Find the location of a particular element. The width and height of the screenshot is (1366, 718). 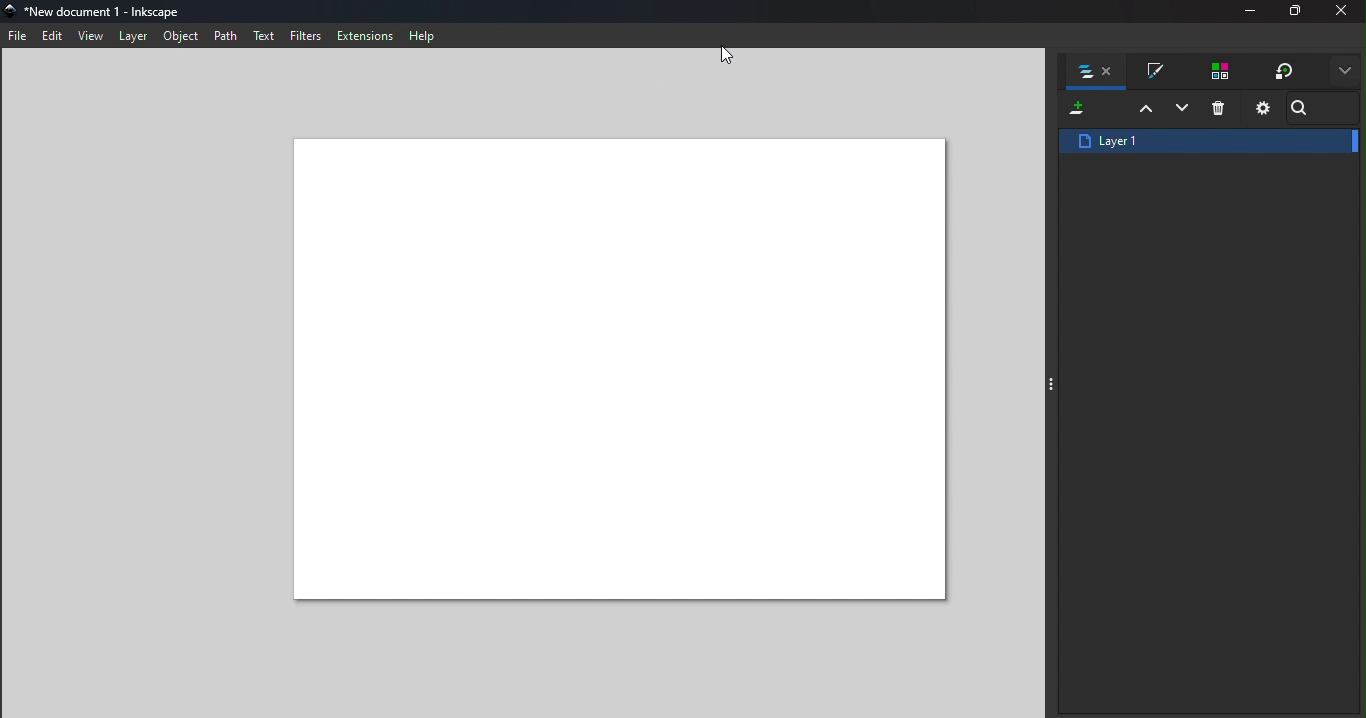

Filters is located at coordinates (307, 35).